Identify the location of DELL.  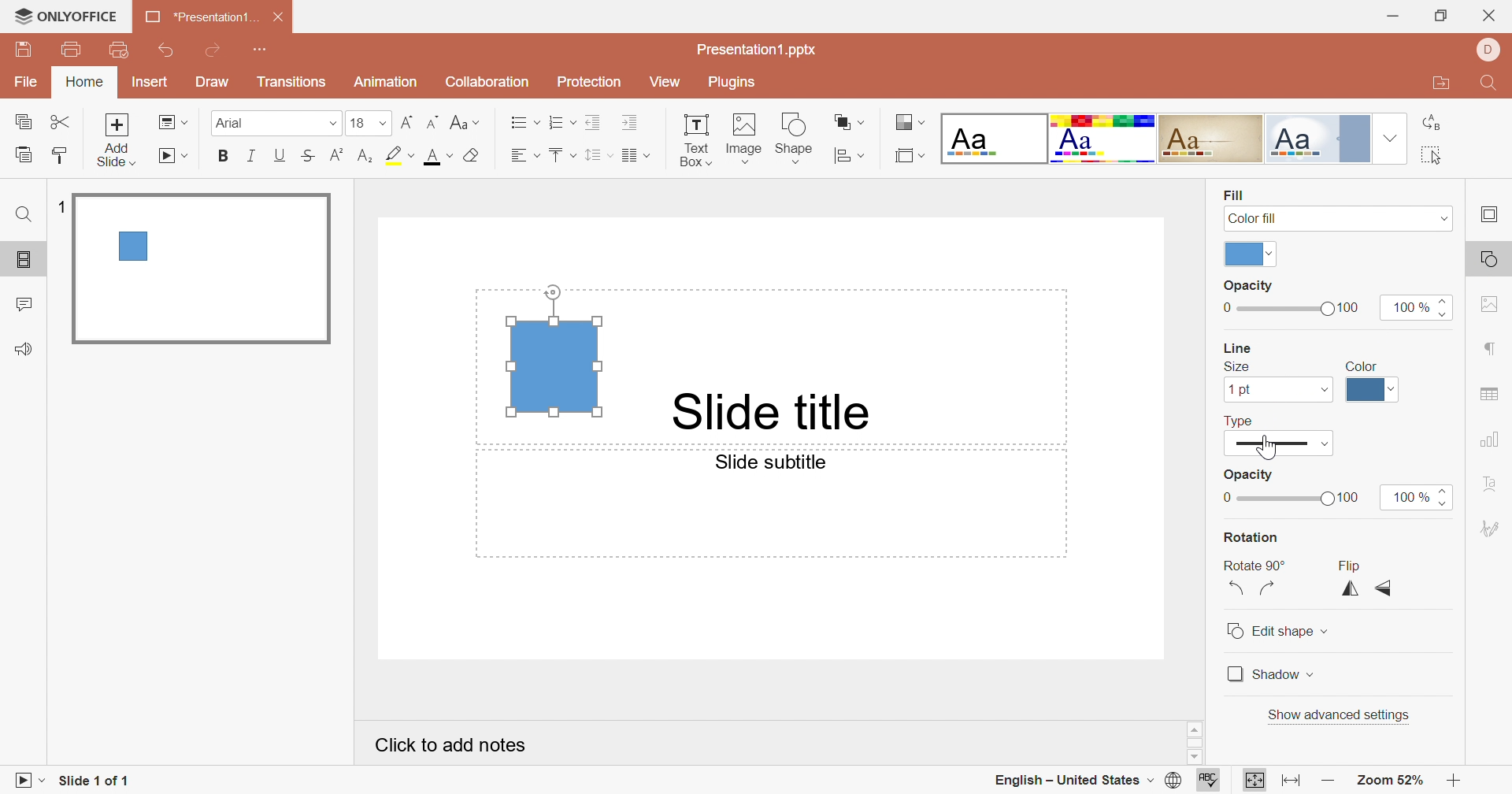
(1485, 50).